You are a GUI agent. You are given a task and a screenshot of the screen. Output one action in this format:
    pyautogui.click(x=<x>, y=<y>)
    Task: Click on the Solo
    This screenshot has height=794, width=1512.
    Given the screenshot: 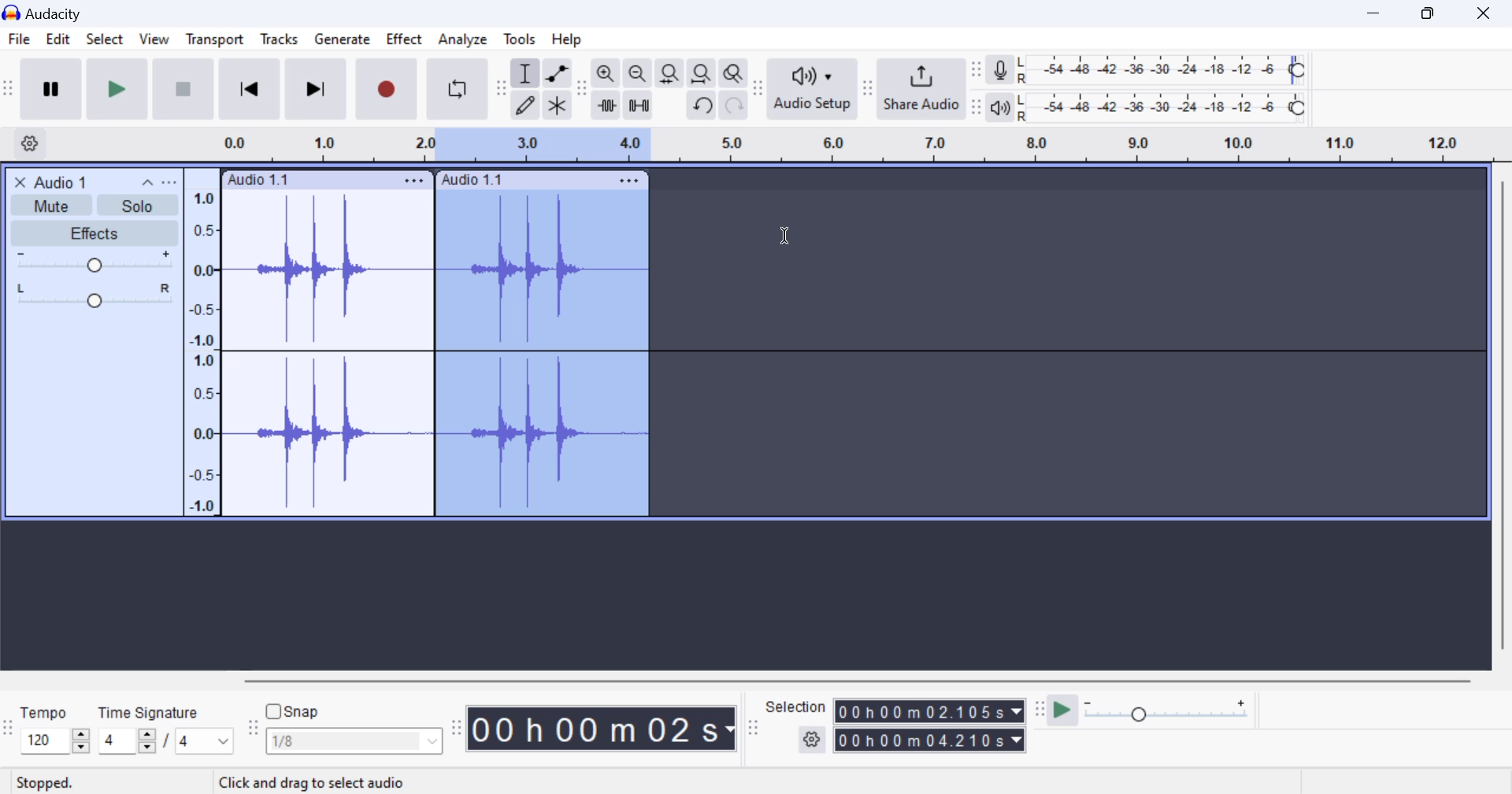 What is the action you would take?
    pyautogui.click(x=139, y=206)
    